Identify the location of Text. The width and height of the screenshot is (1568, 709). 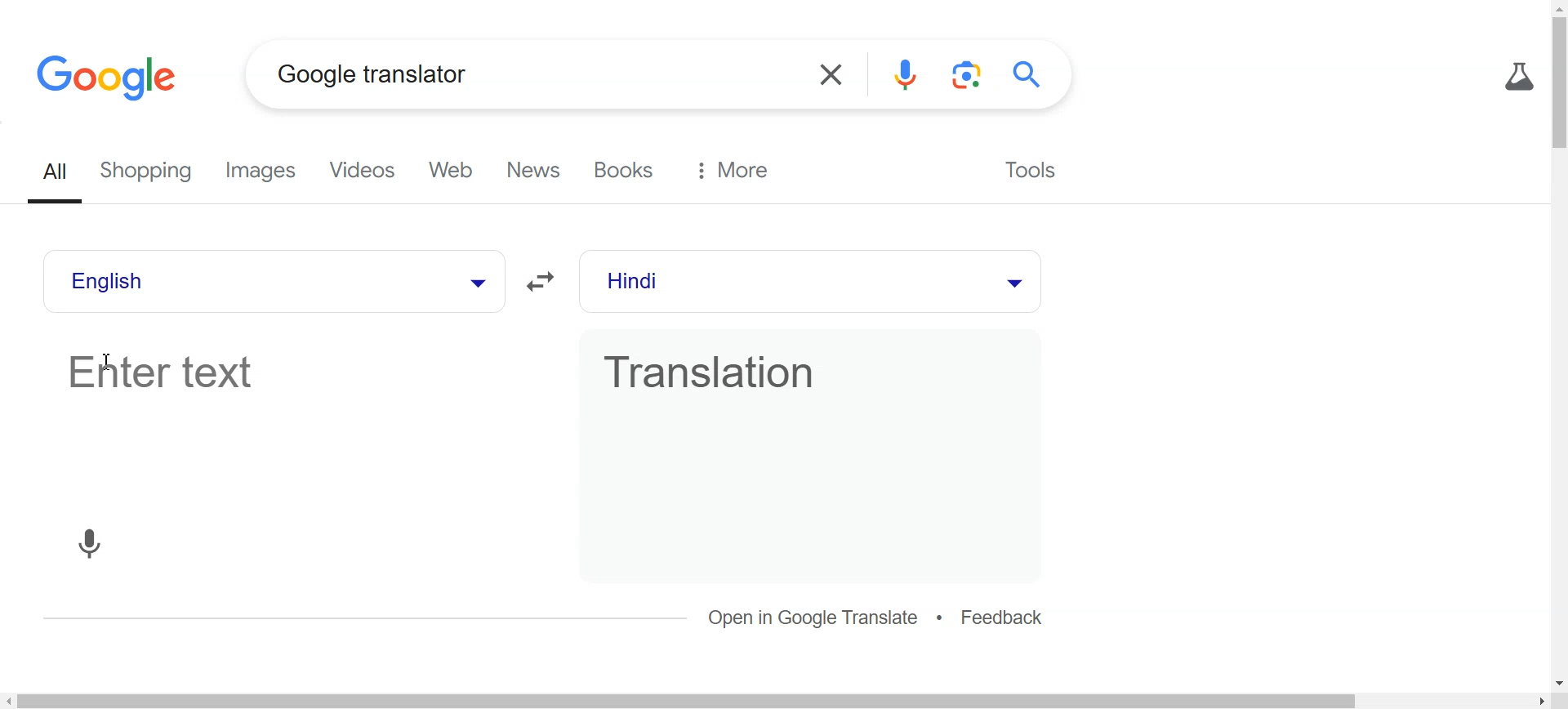
(372, 74).